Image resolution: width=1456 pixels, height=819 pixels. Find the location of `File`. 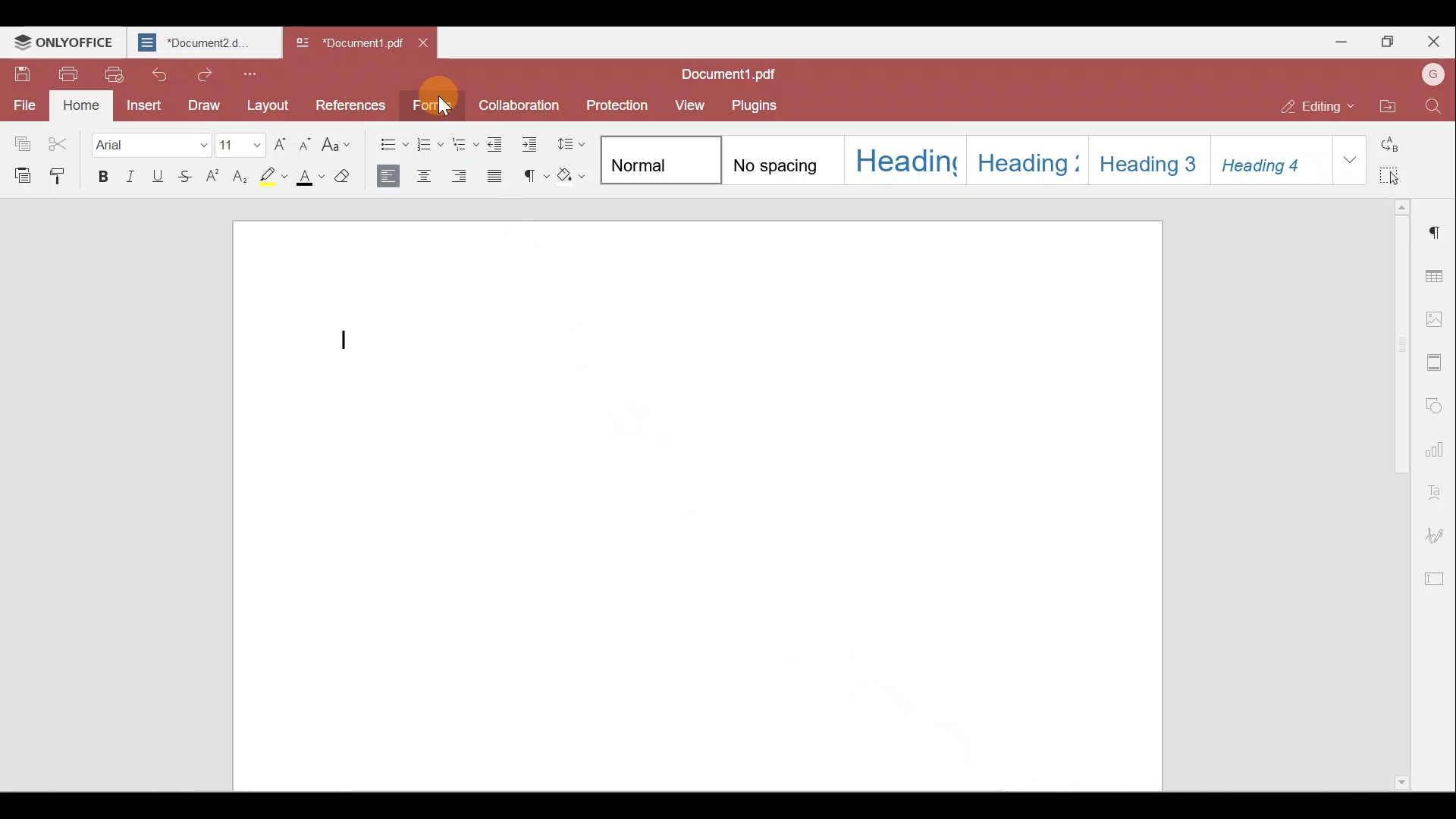

File is located at coordinates (23, 105).